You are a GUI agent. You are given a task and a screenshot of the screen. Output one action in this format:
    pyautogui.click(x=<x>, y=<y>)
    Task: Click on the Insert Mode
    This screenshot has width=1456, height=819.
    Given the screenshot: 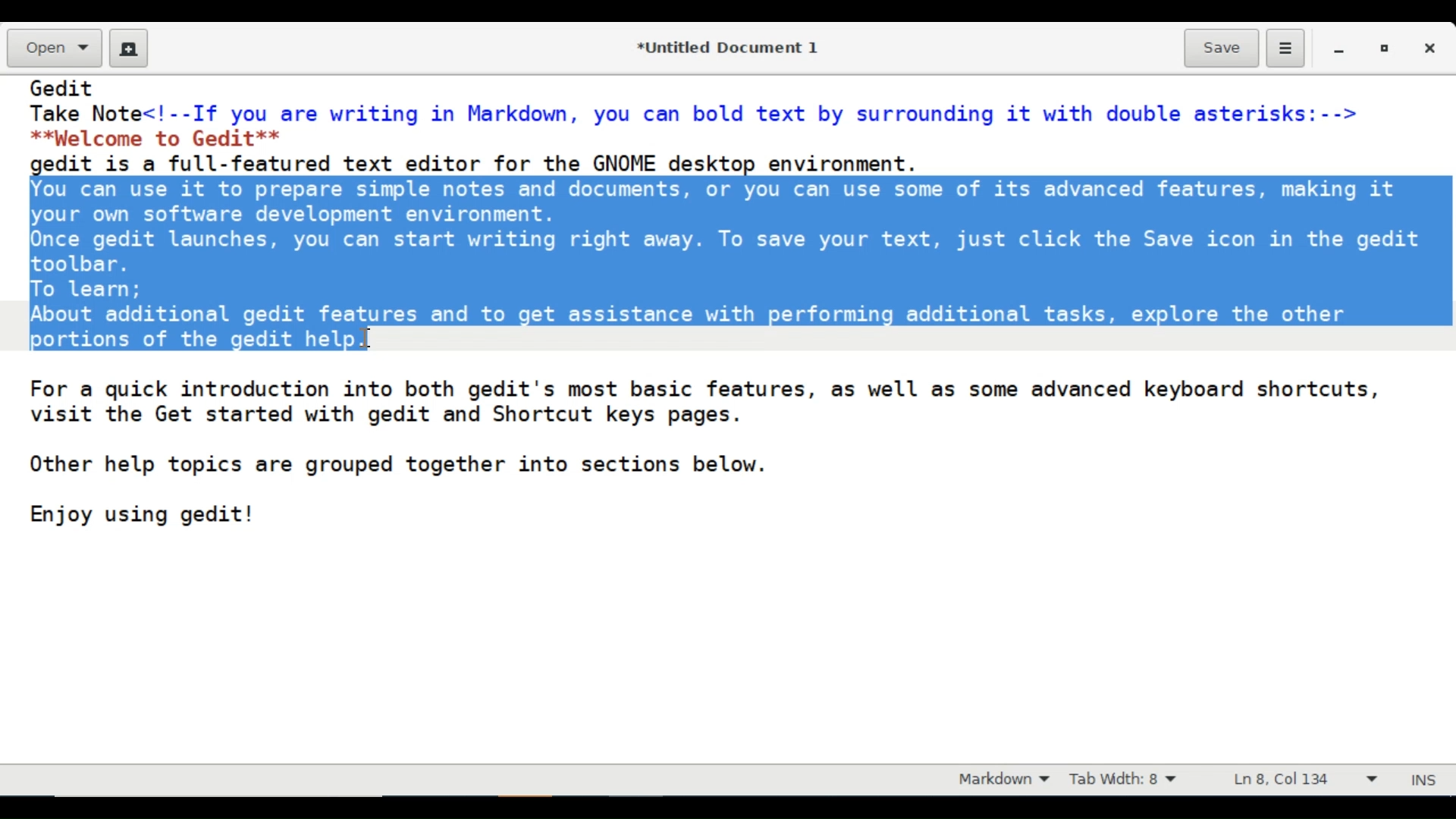 What is the action you would take?
    pyautogui.click(x=1426, y=777)
    